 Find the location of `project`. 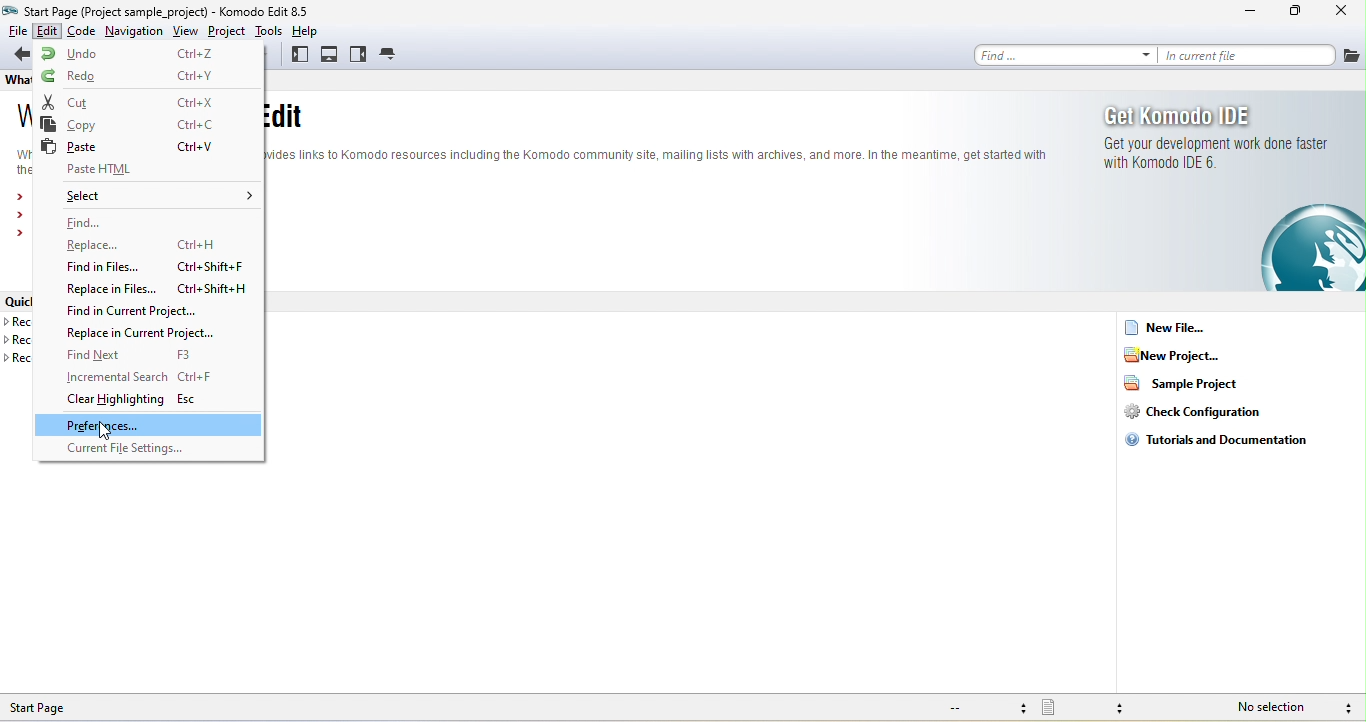

project is located at coordinates (225, 30).